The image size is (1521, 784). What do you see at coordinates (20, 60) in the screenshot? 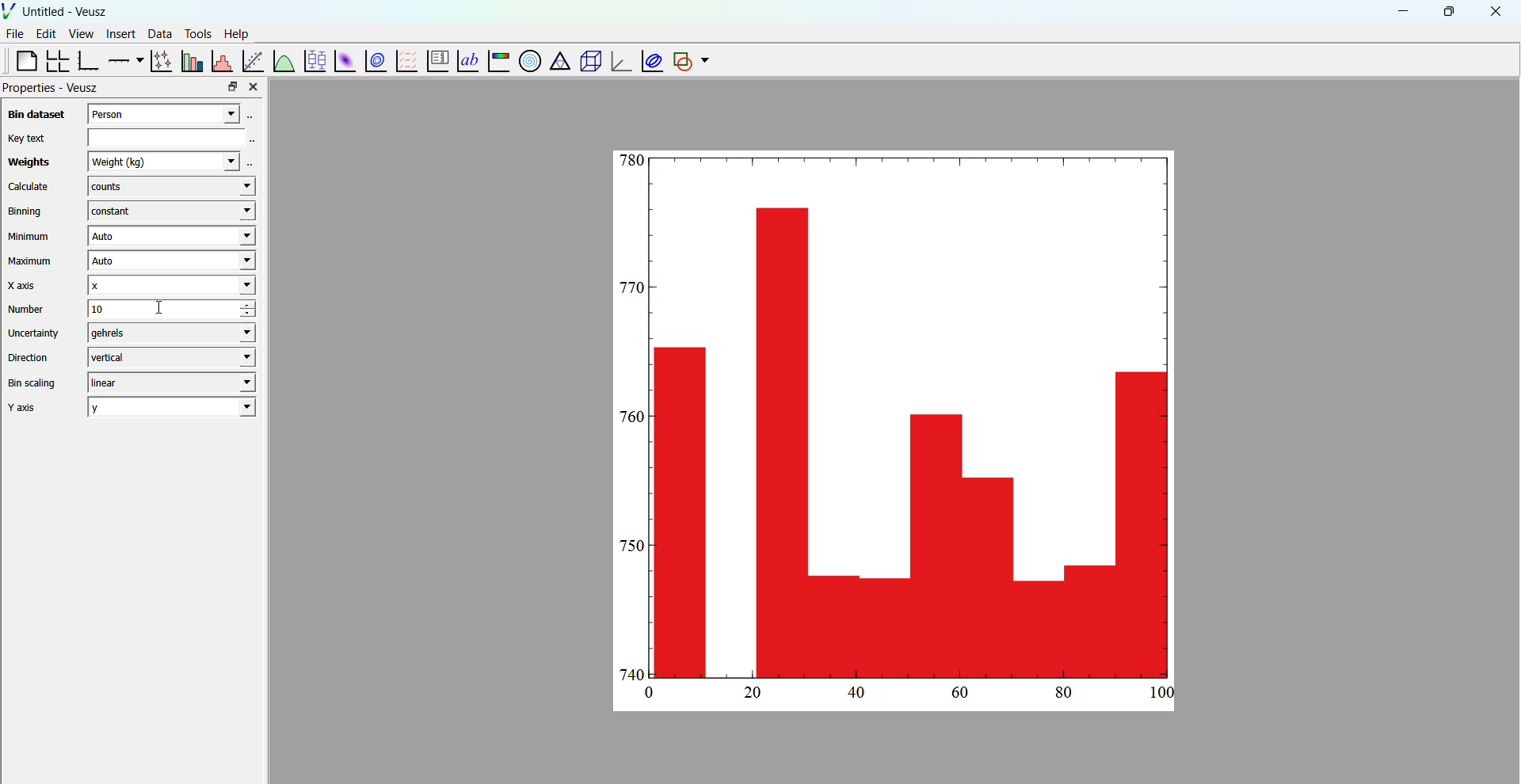
I see `blank page` at bounding box center [20, 60].